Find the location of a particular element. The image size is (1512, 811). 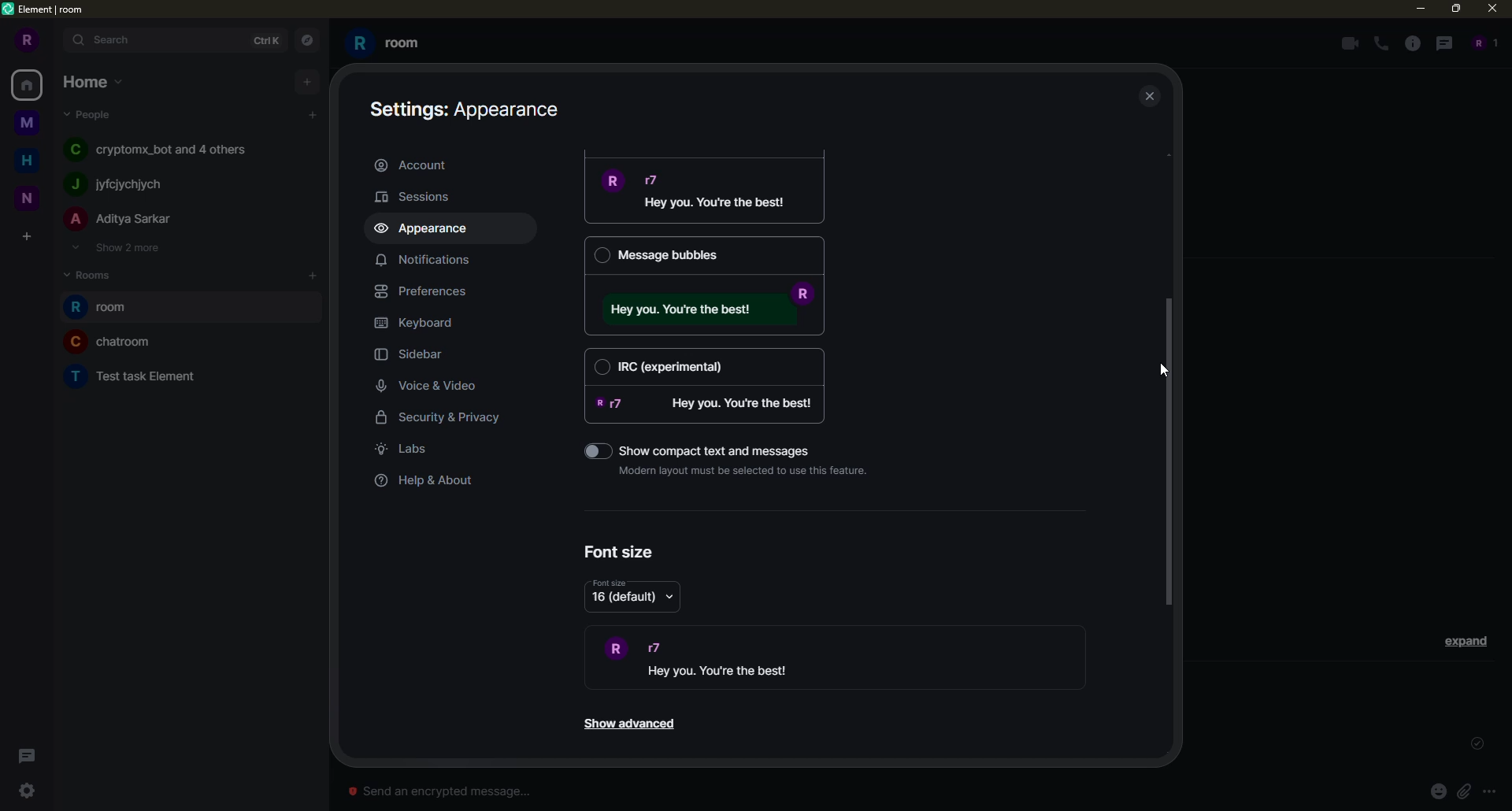

maximize is located at coordinates (1457, 9).